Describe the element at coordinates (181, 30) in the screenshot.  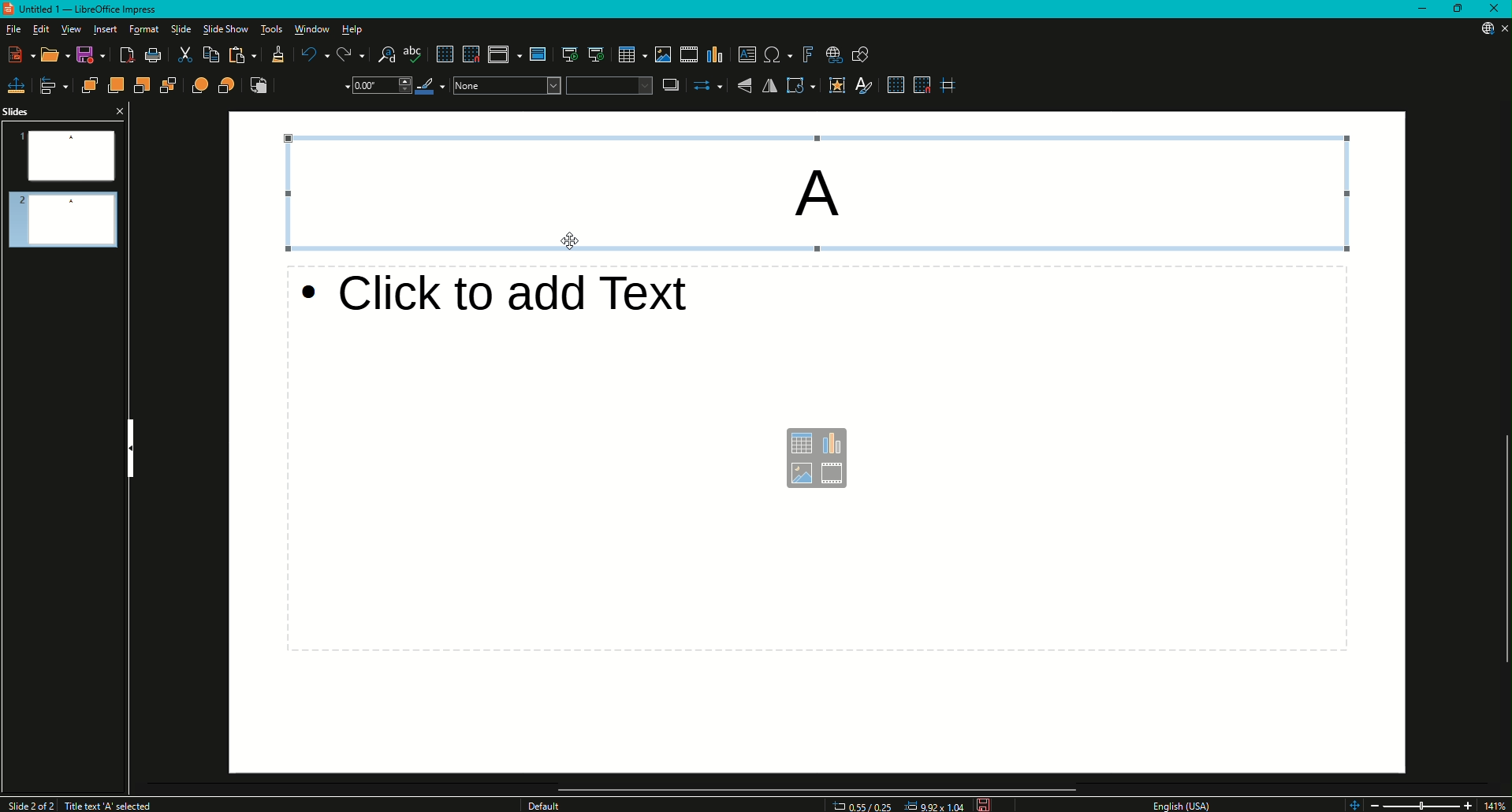
I see `Slide` at that location.